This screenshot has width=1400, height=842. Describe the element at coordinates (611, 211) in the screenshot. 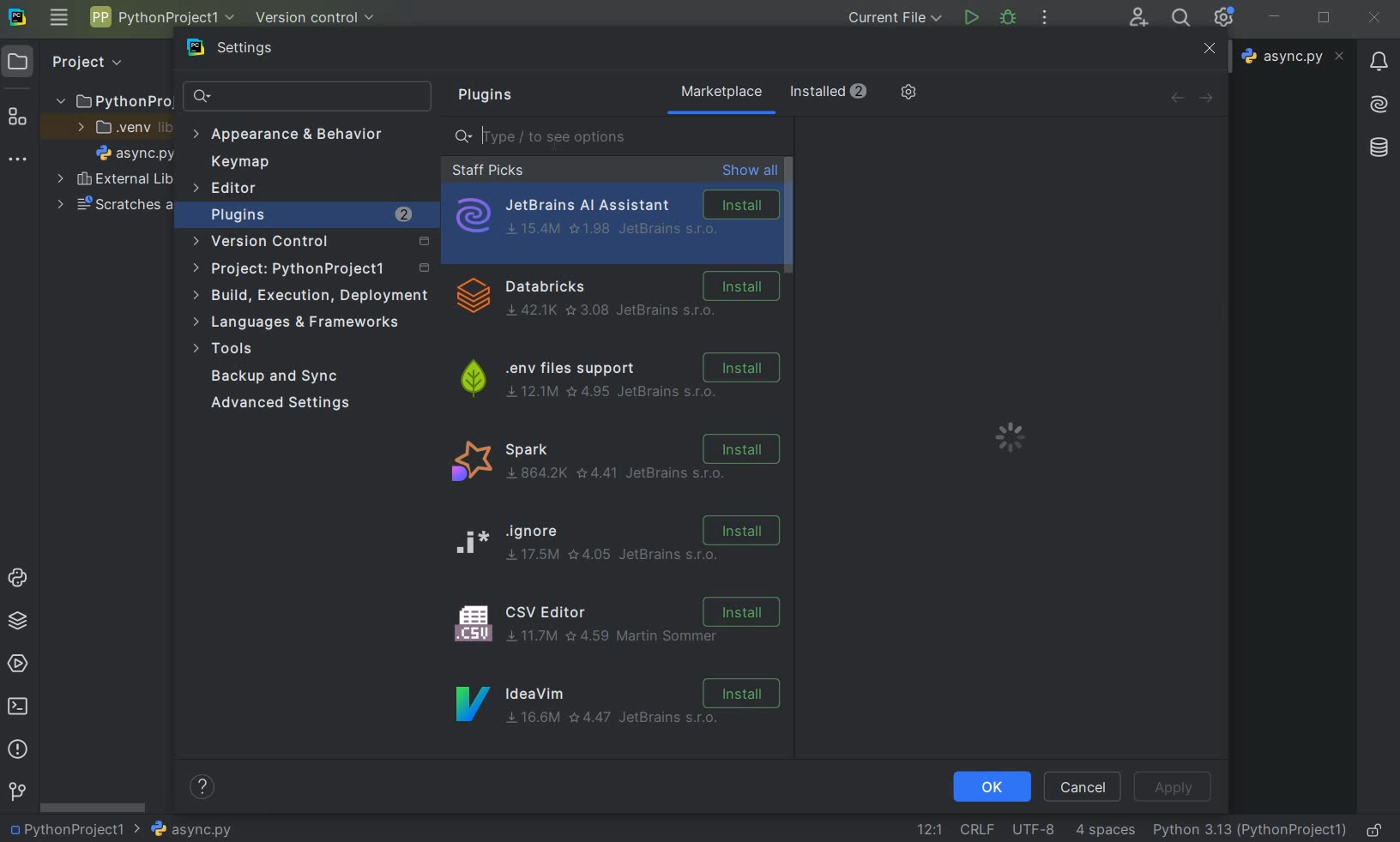

I see `JetBrains AI Assistant` at that location.